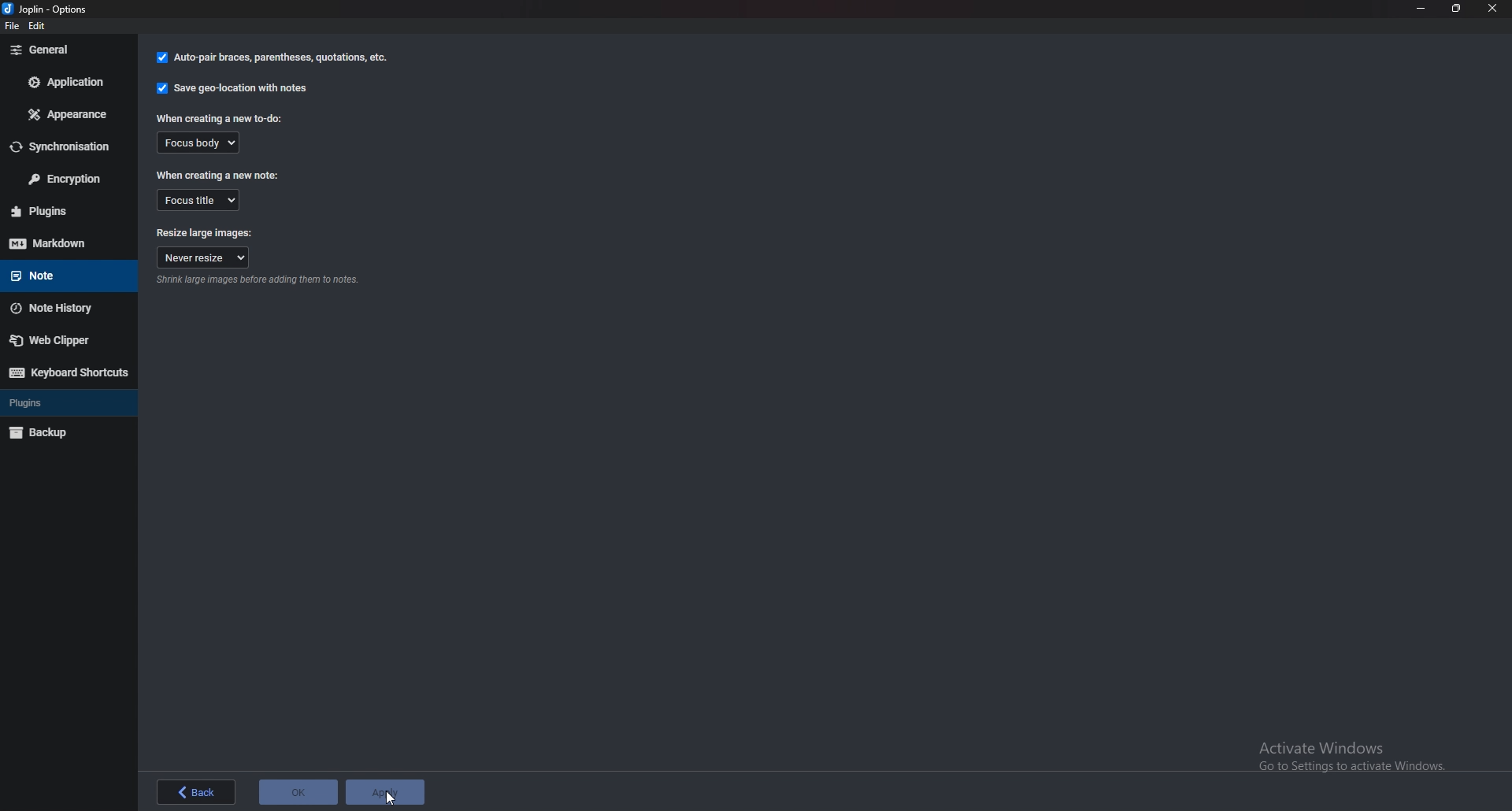  Describe the element at coordinates (232, 91) in the screenshot. I see `save geo location with notes` at that location.